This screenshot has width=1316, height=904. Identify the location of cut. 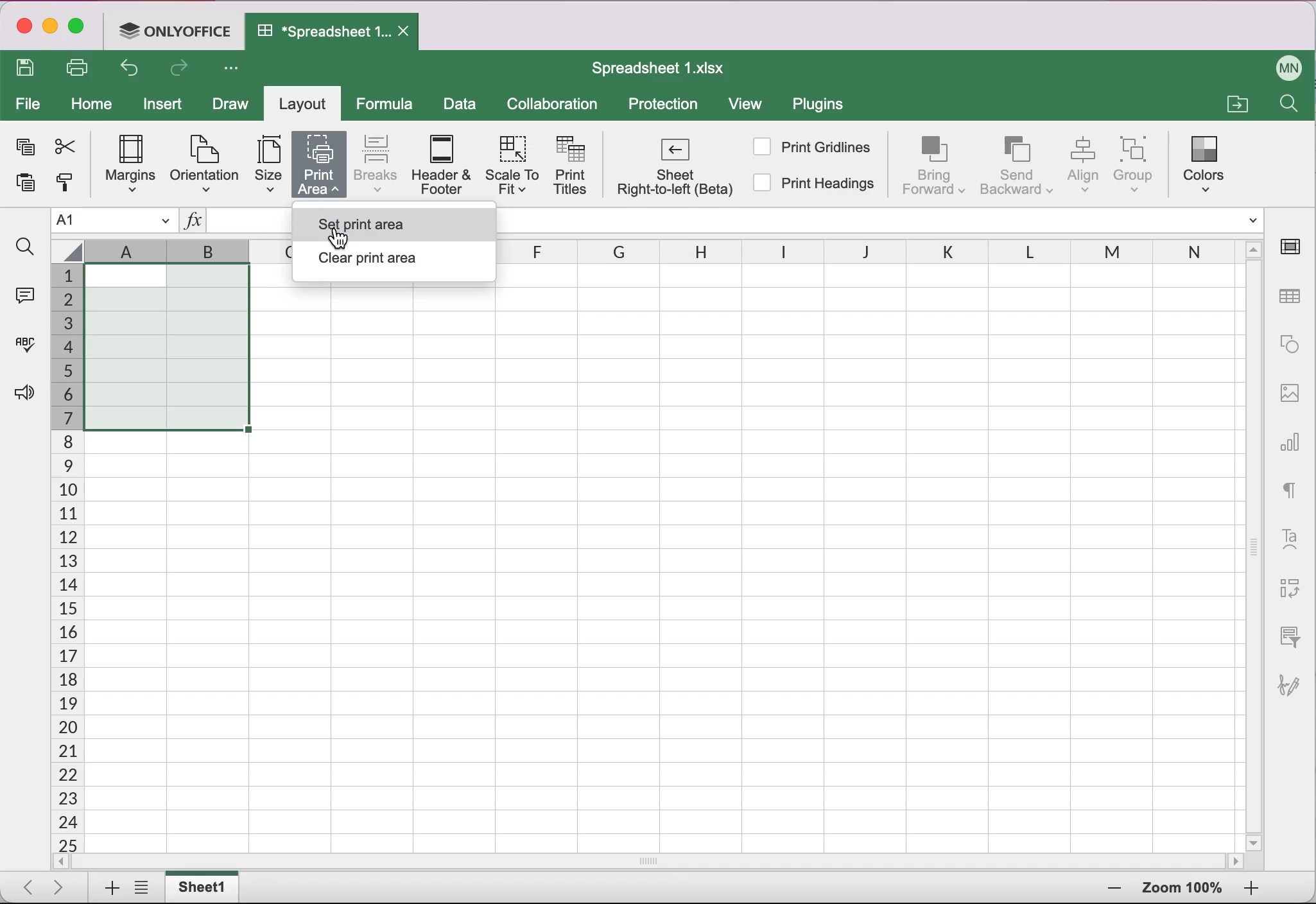
(64, 146).